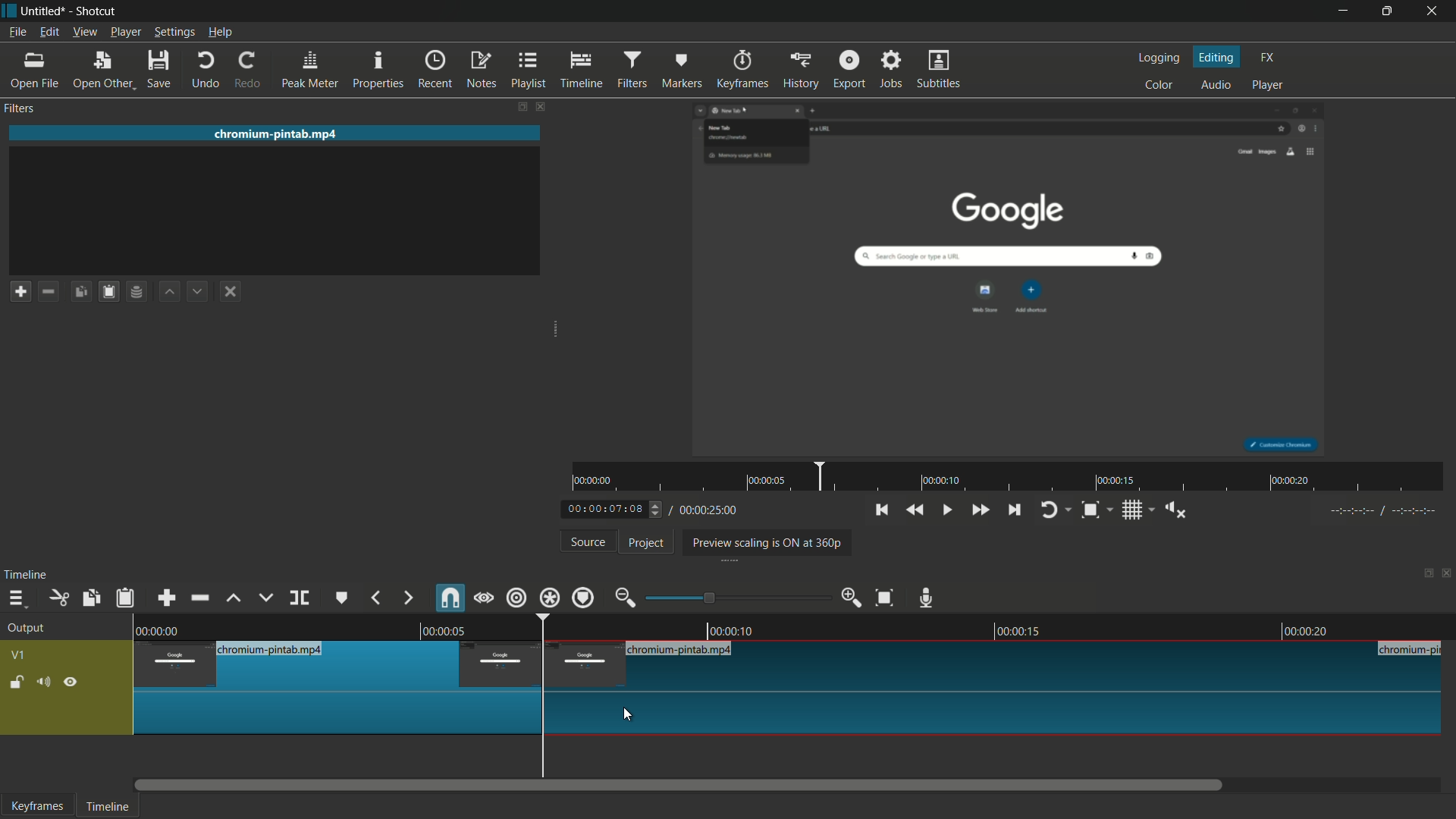  I want to click on record audio, so click(927, 599).